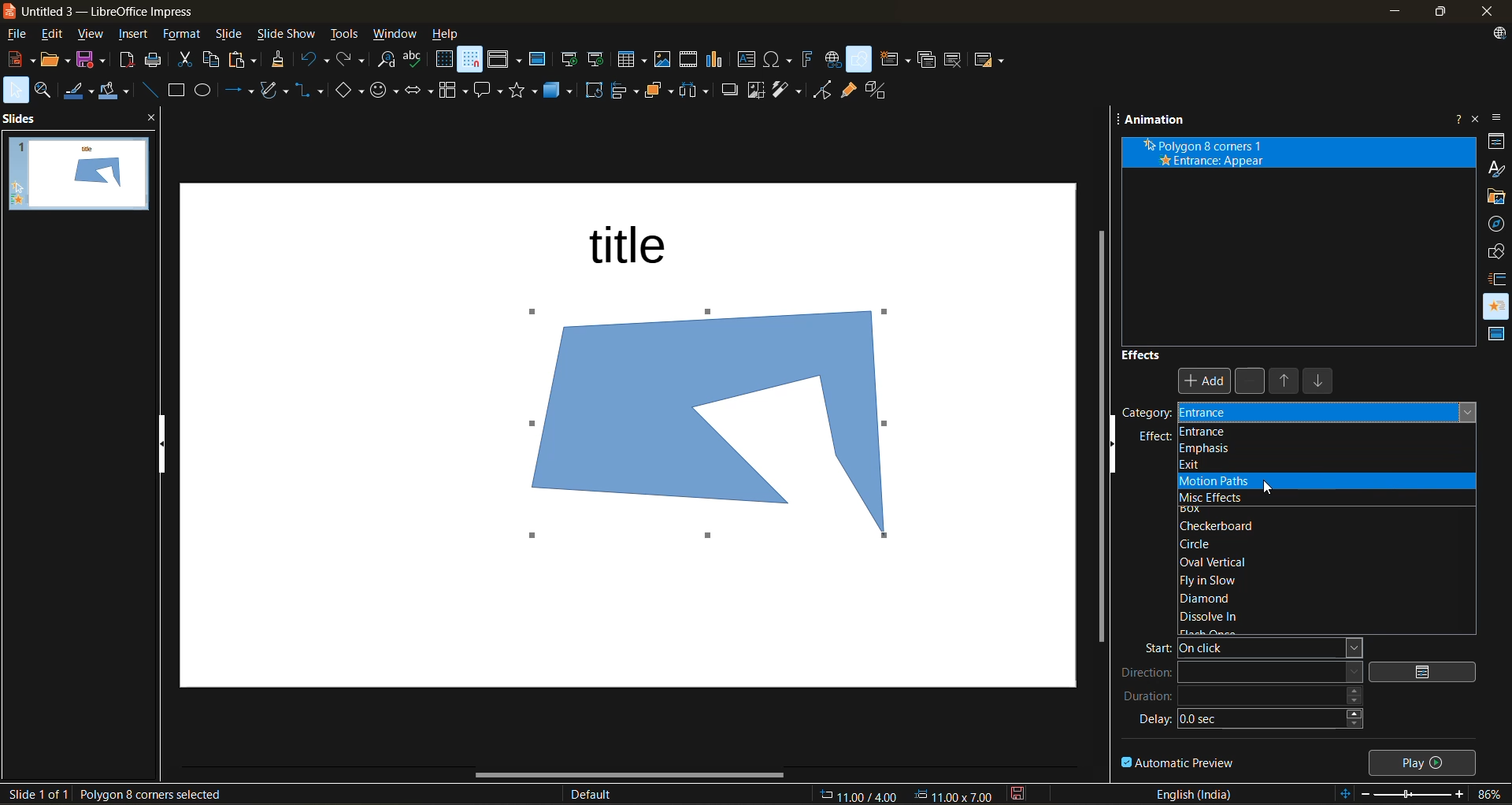 This screenshot has height=805, width=1512. Describe the element at coordinates (1203, 599) in the screenshot. I see `diamond` at that location.